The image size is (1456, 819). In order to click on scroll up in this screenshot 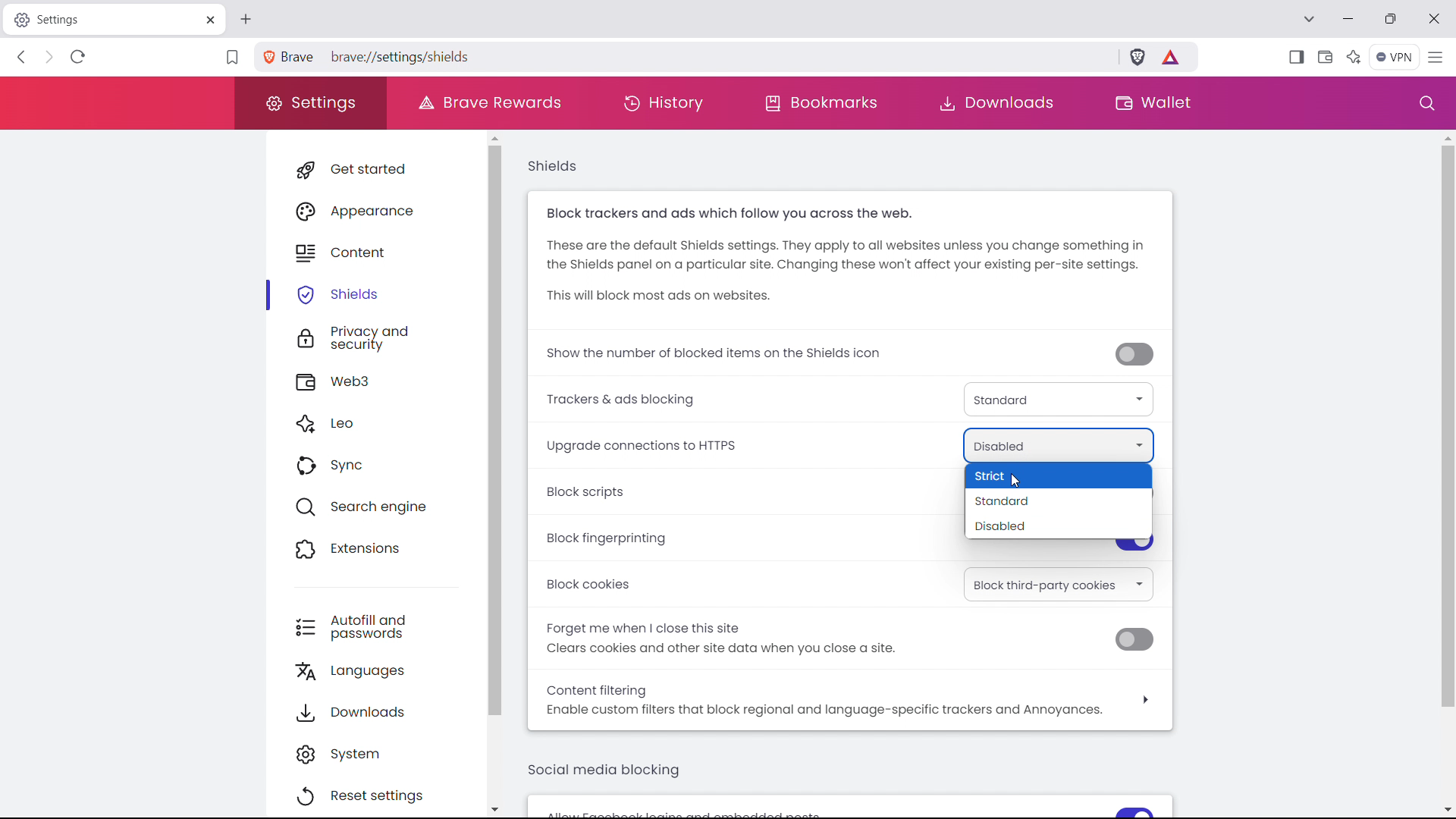, I will do `click(502, 137)`.